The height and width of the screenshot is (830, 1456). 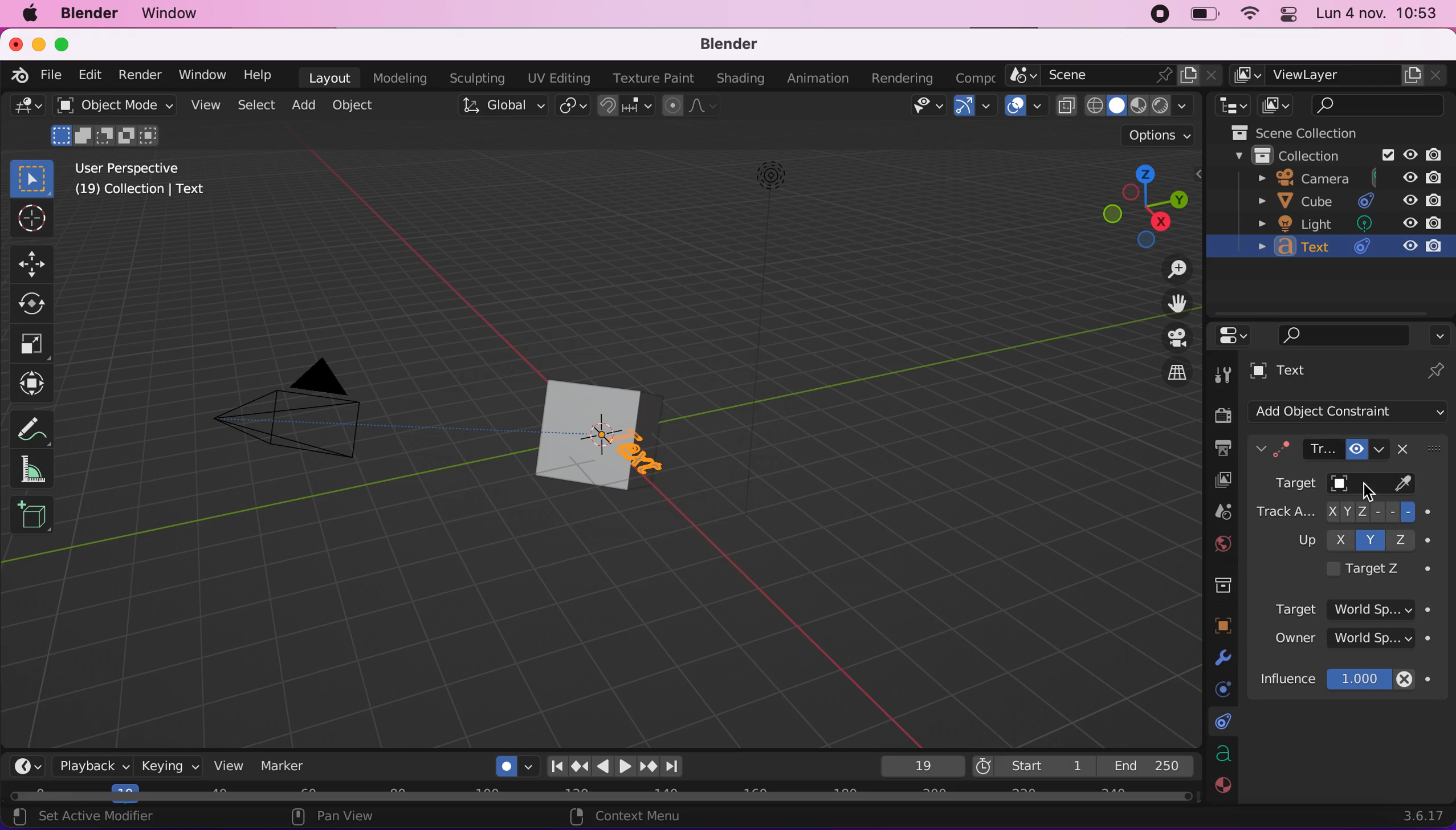 What do you see at coordinates (31, 385) in the screenshot?
I see `transform` at bounding box center [31, 385].